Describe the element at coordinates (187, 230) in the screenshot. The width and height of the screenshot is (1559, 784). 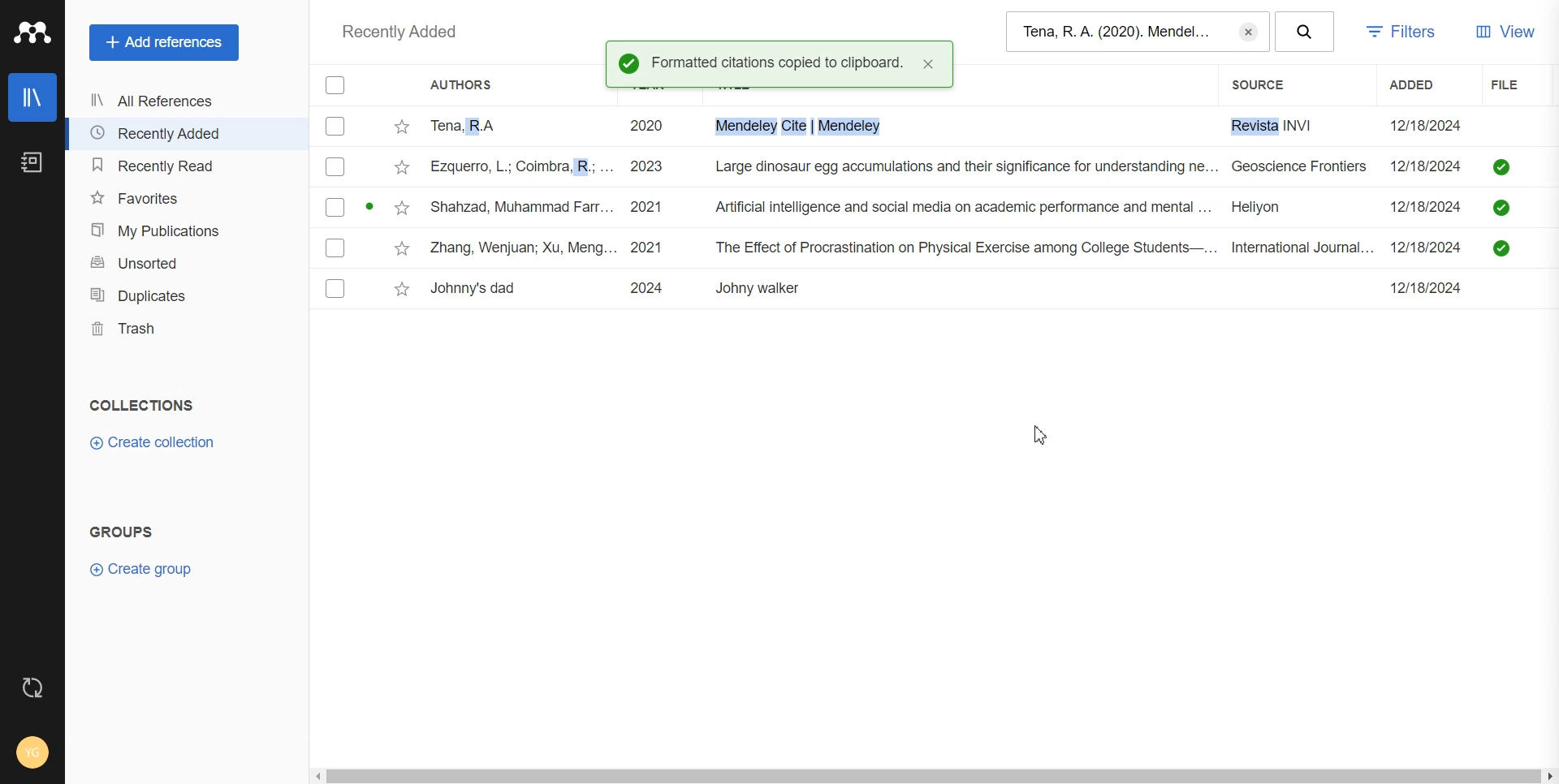
I see `My publication` at that location.